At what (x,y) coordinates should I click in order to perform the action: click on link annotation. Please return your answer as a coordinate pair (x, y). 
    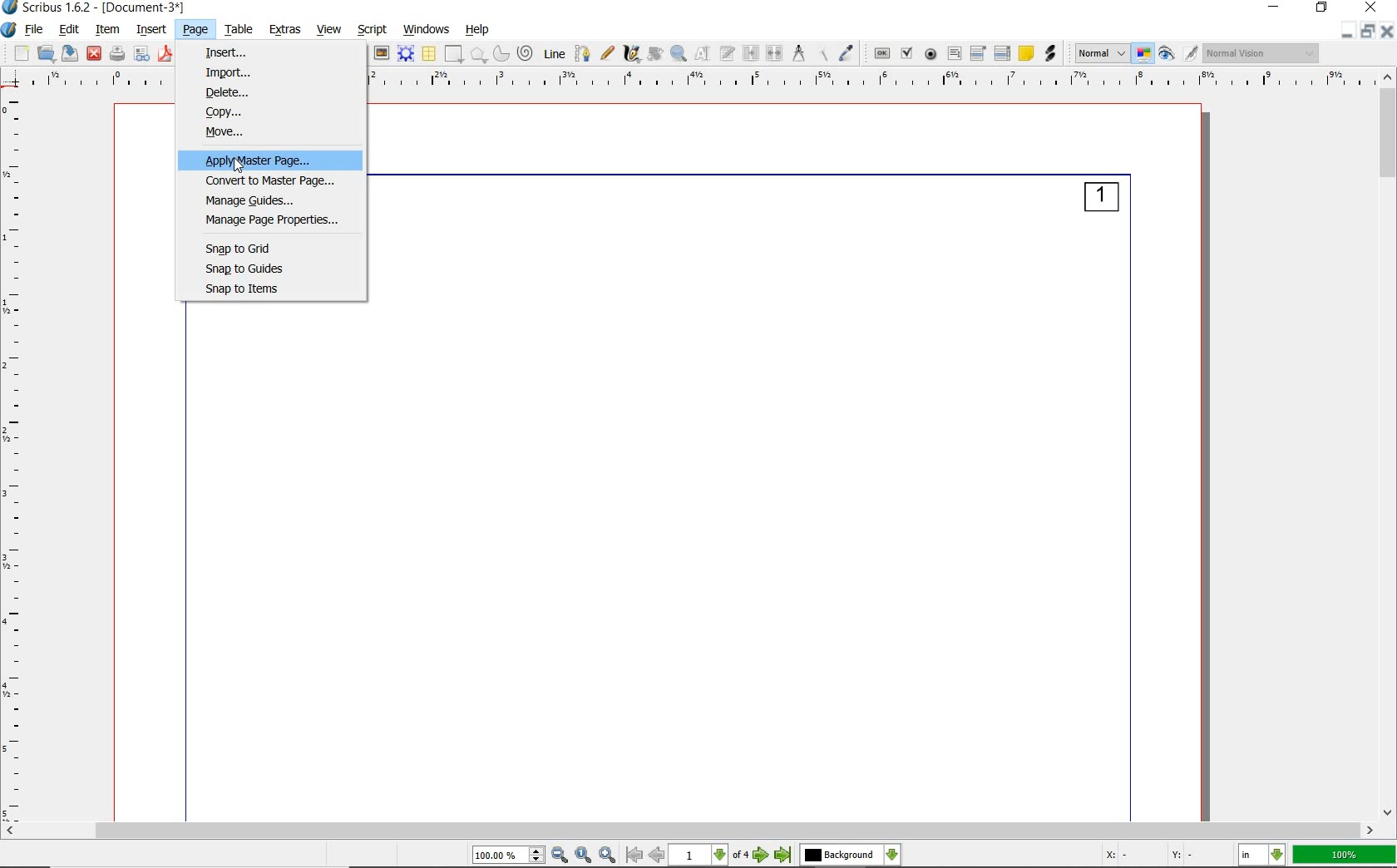
    Looking at the image, I should click on (1051, 53).